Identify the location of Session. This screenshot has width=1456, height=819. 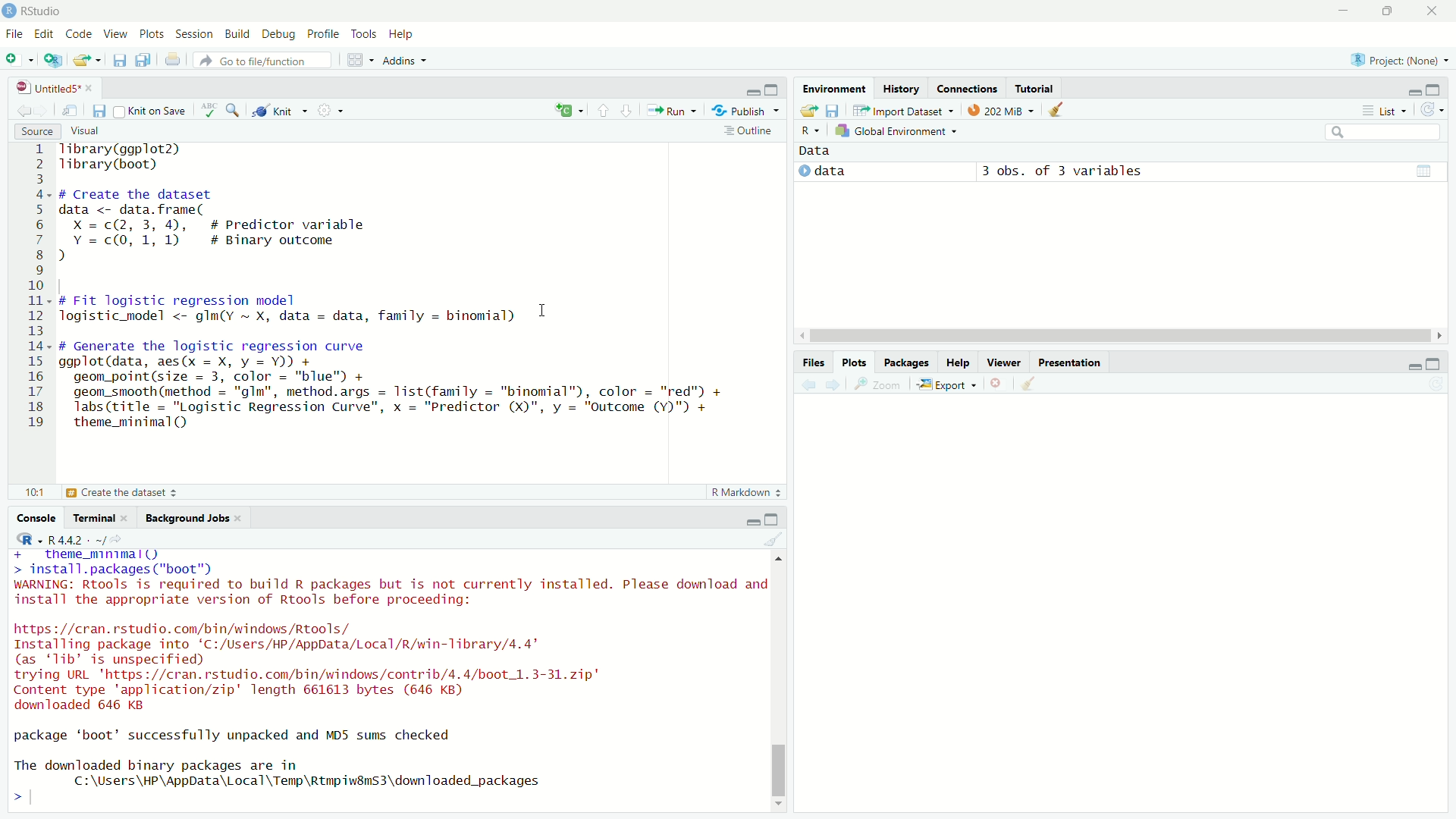
(195, 34).